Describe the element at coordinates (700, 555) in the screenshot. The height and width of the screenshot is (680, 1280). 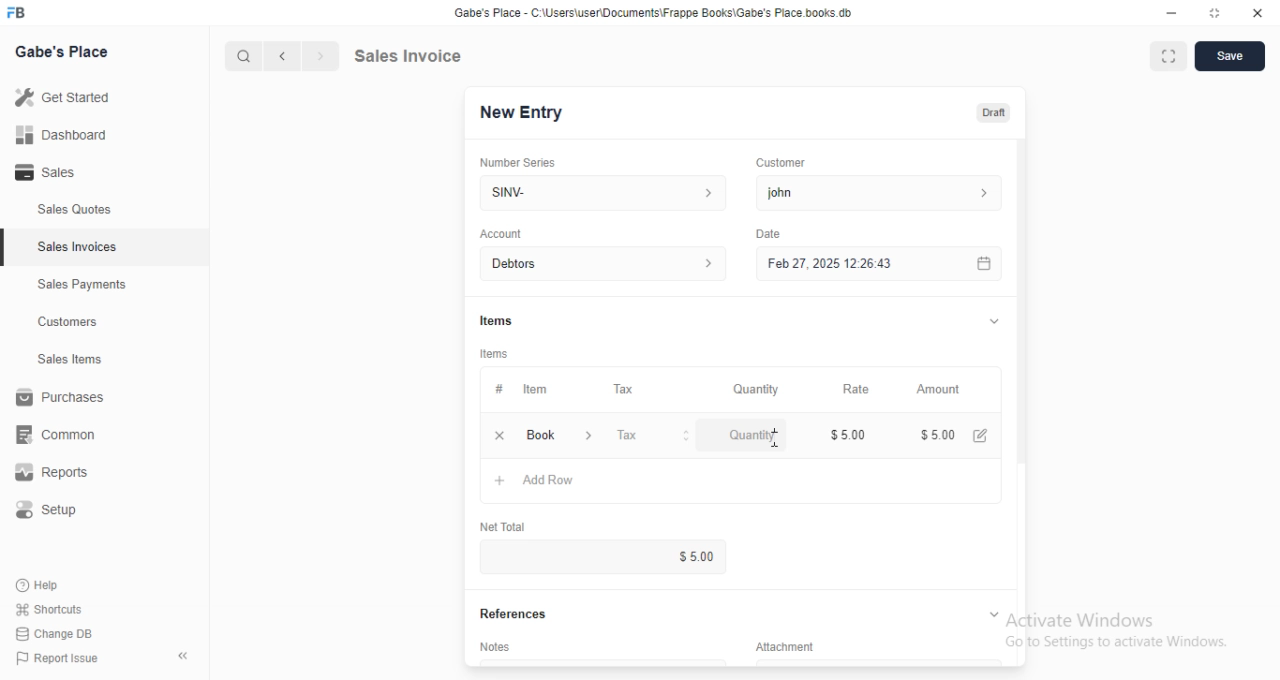
I see `$5.00` at that location.